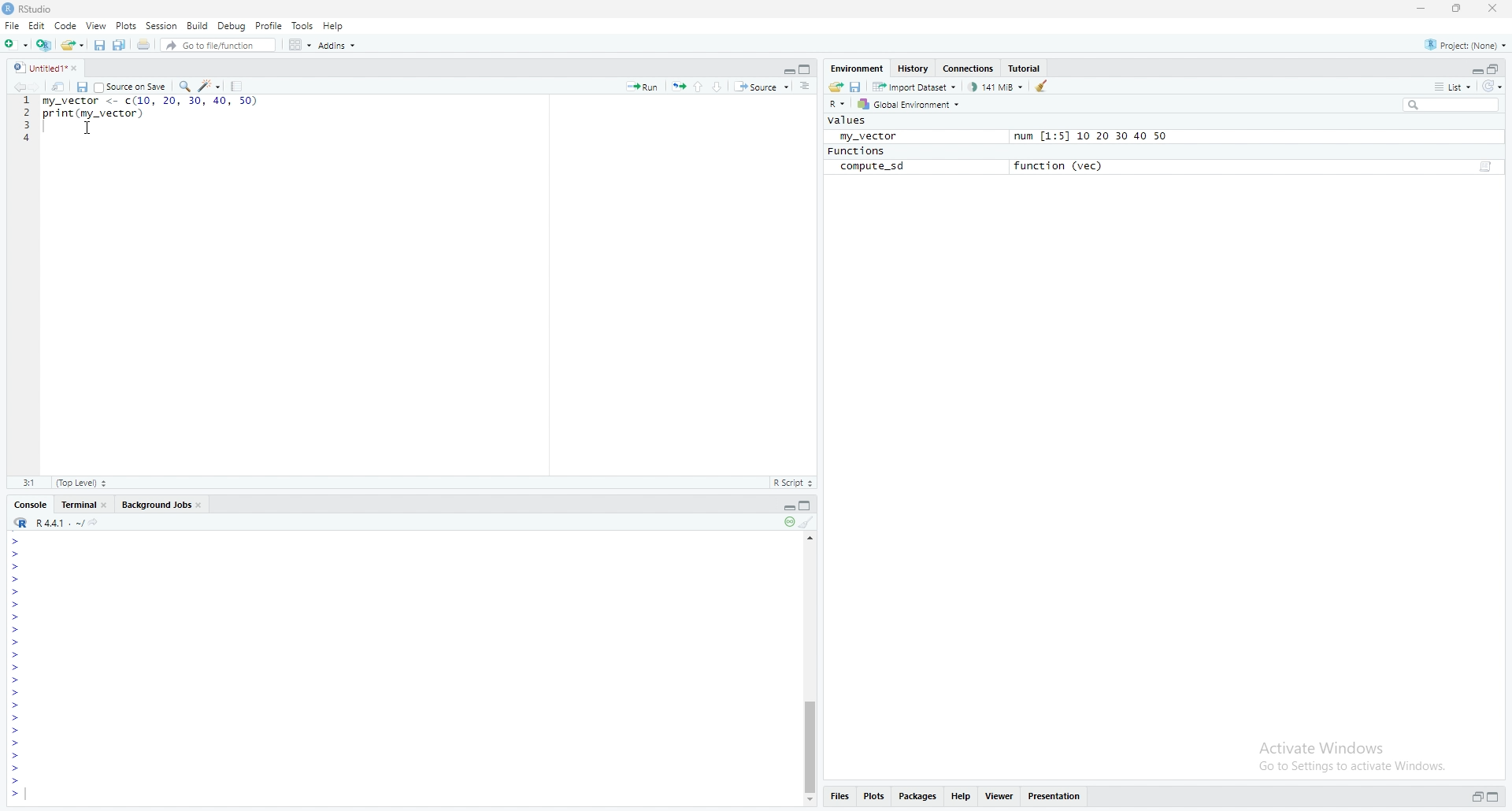  Describe the element at coordinates (60, 522) in the screenshot. I see `R4.4.1. ~/` at that location.